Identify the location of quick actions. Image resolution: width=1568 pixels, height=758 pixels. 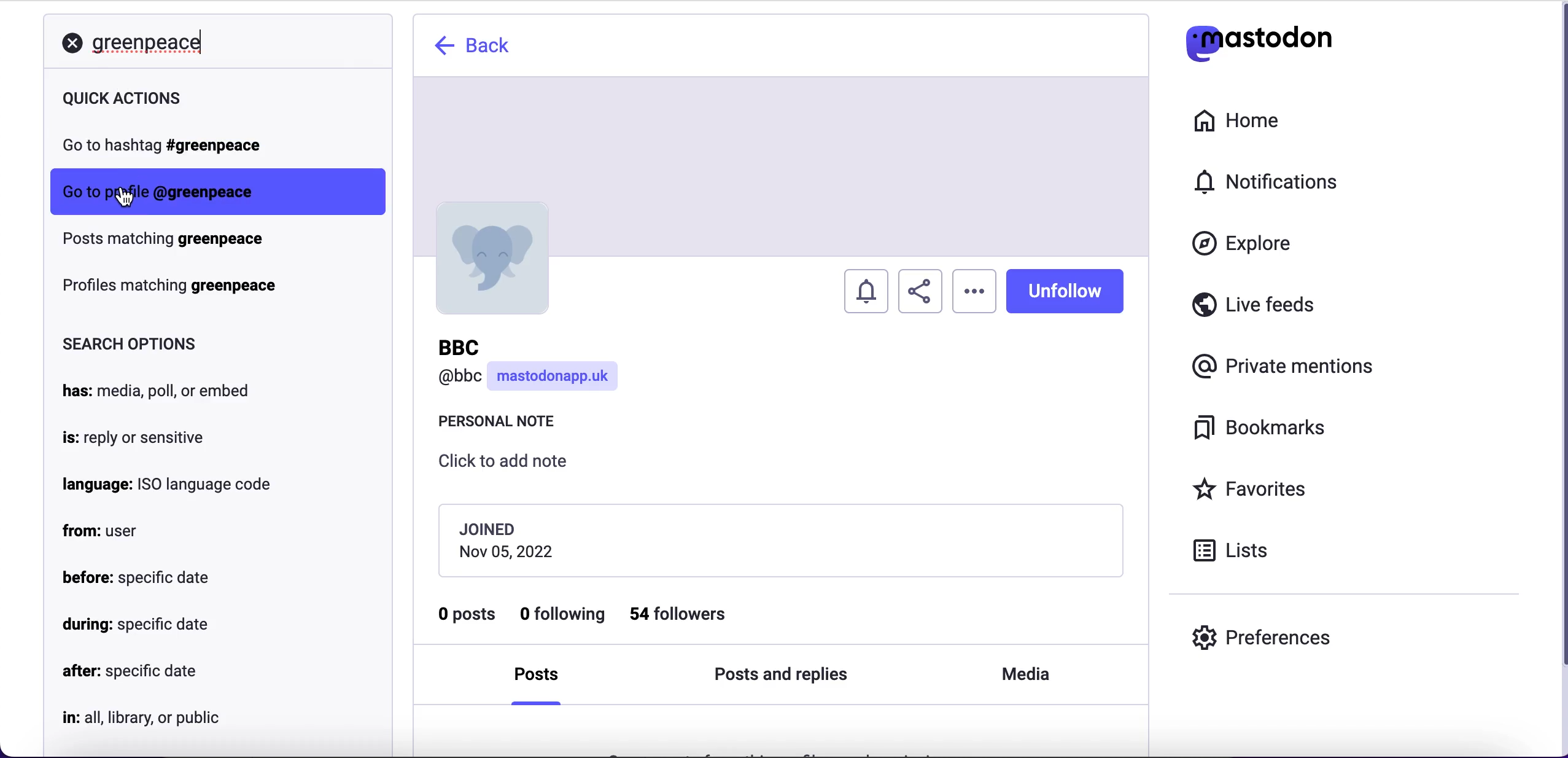
(186, 103).